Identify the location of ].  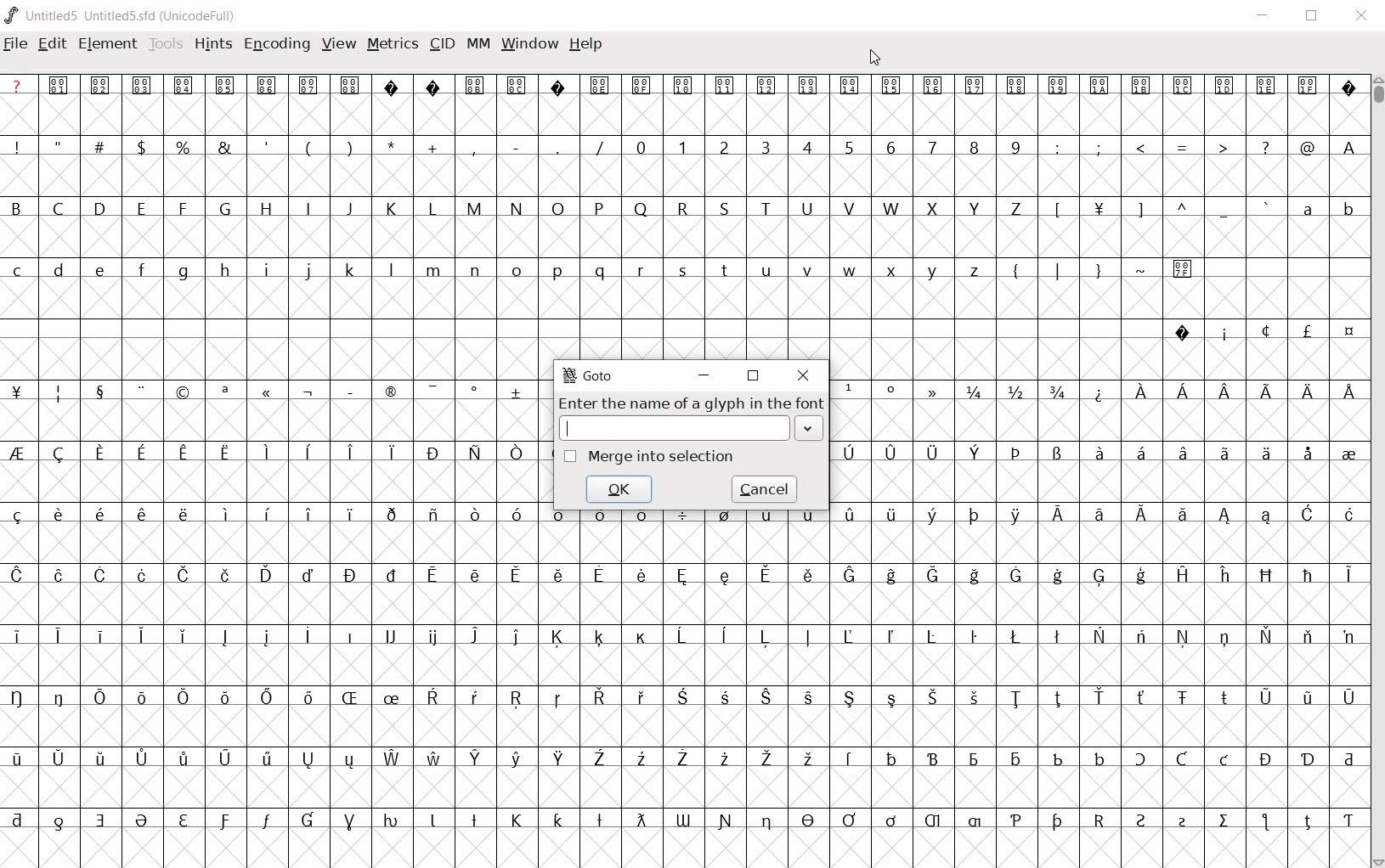
(1141, 208).